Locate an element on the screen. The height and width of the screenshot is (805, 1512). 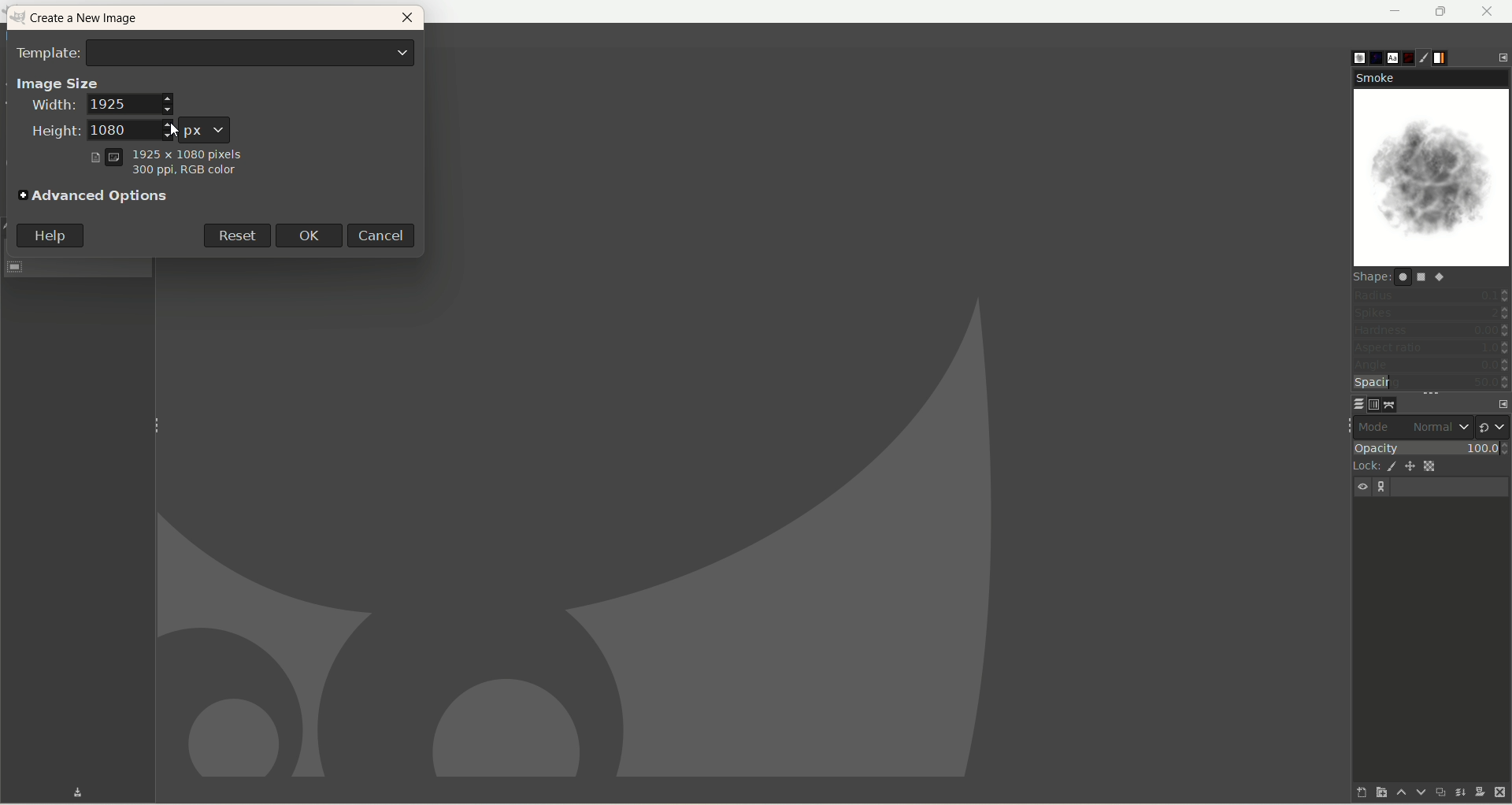
reset is located at coordinates (235, 234).